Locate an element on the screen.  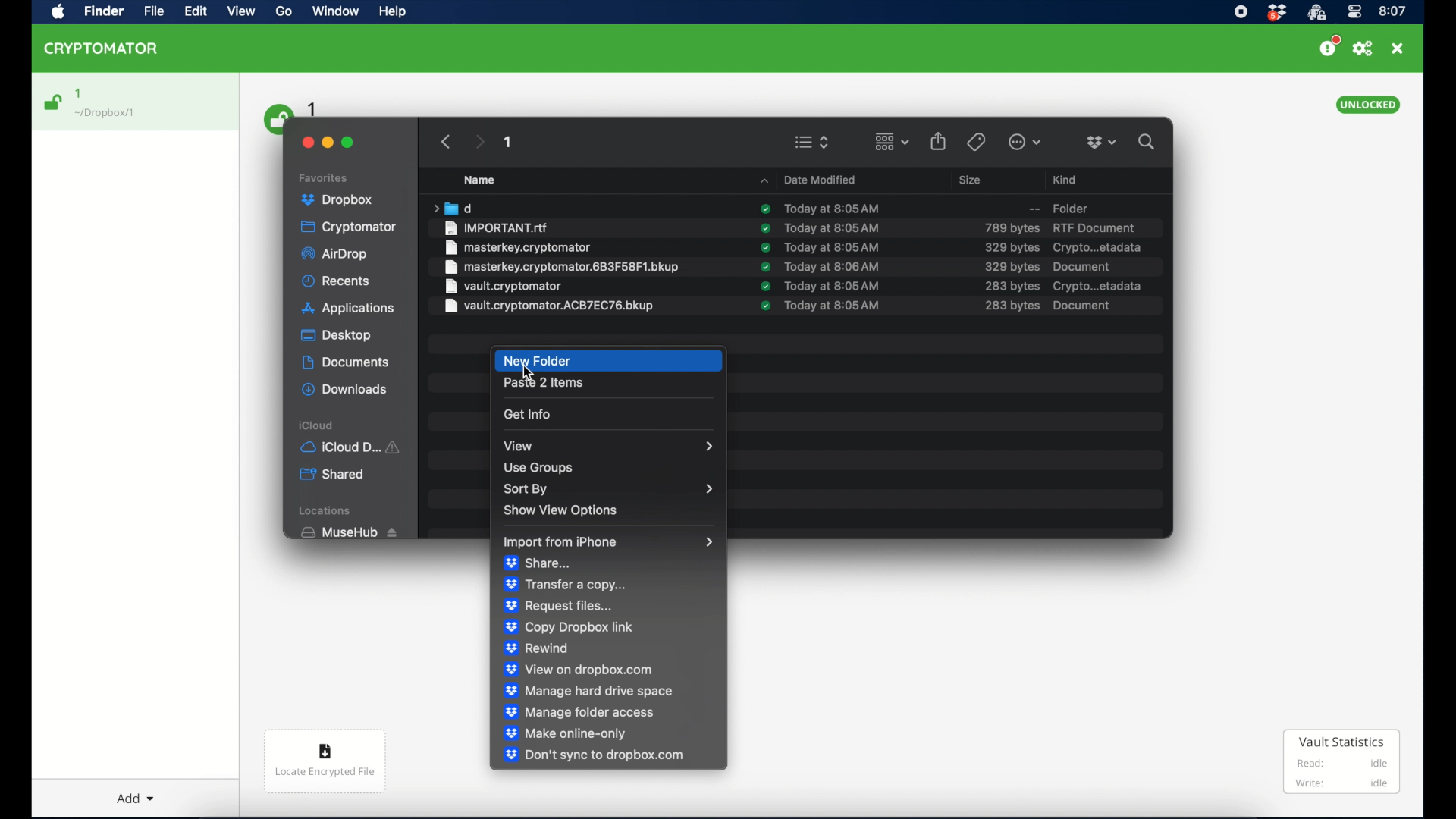
synced is located at coordinates (764, 306).